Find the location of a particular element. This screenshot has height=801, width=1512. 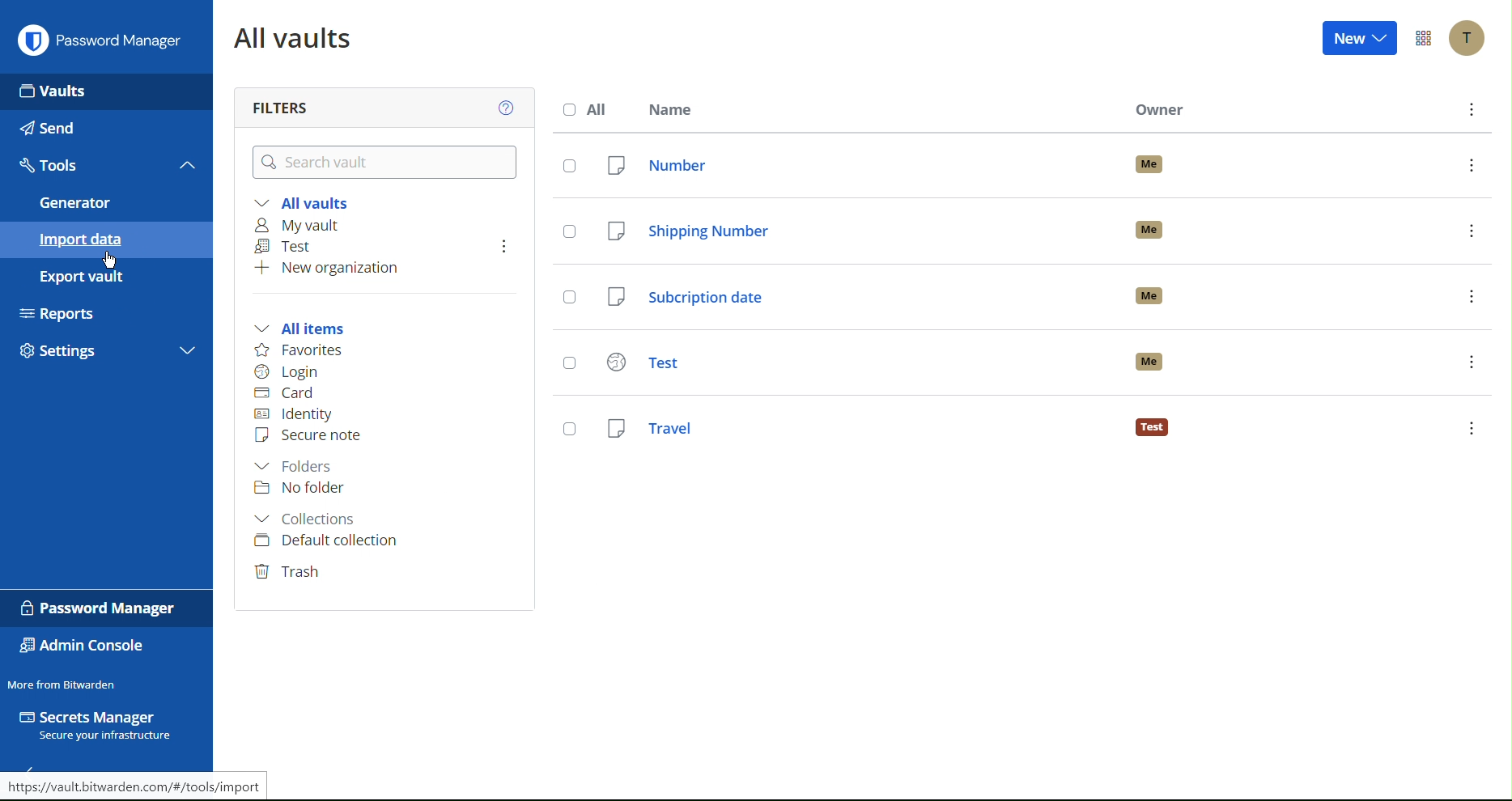

shipping number is located at coordinates (854, 230).